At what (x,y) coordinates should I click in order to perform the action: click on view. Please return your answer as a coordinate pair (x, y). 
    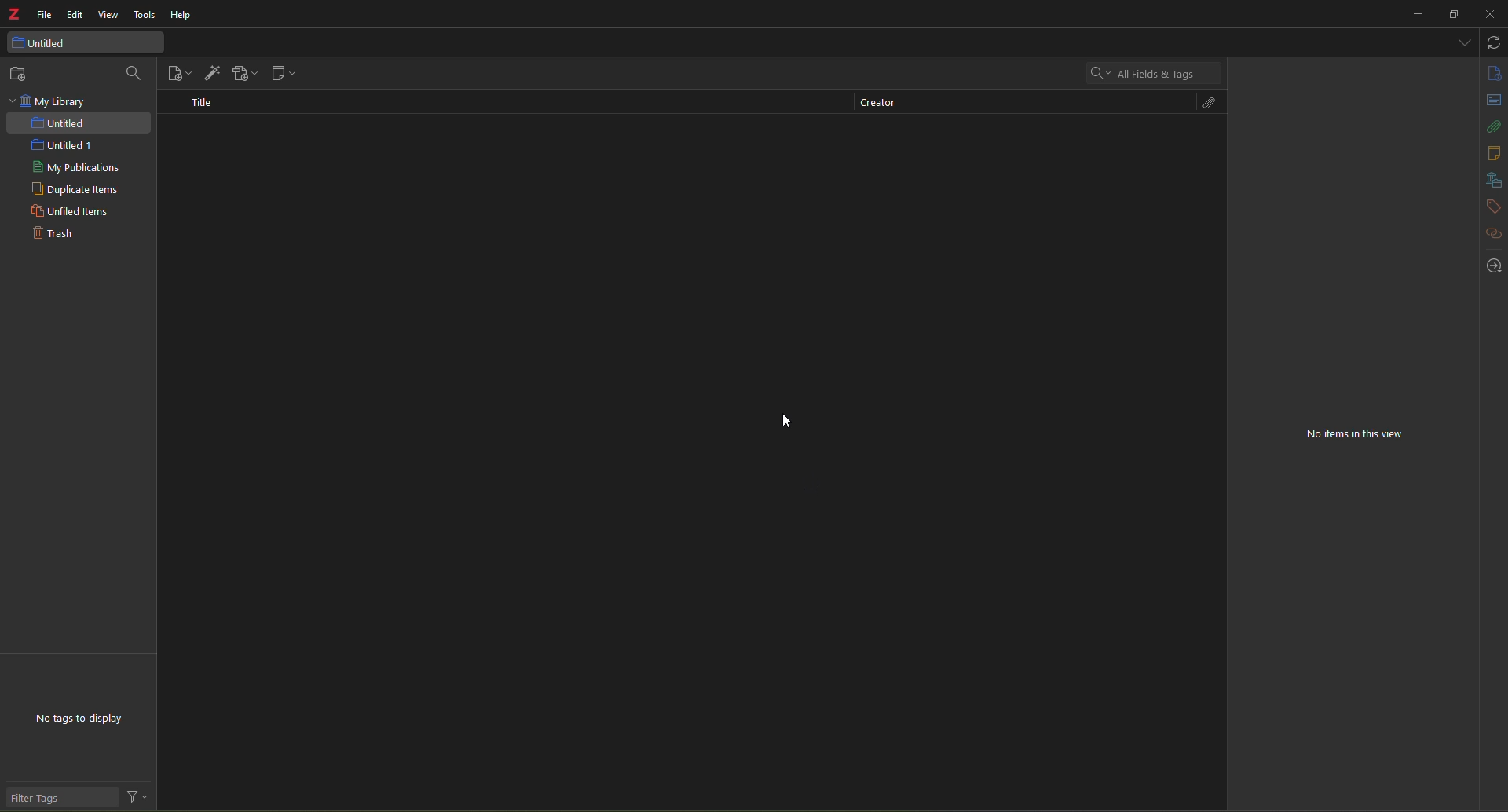
    Looking at the image, I should click on (109, 16).